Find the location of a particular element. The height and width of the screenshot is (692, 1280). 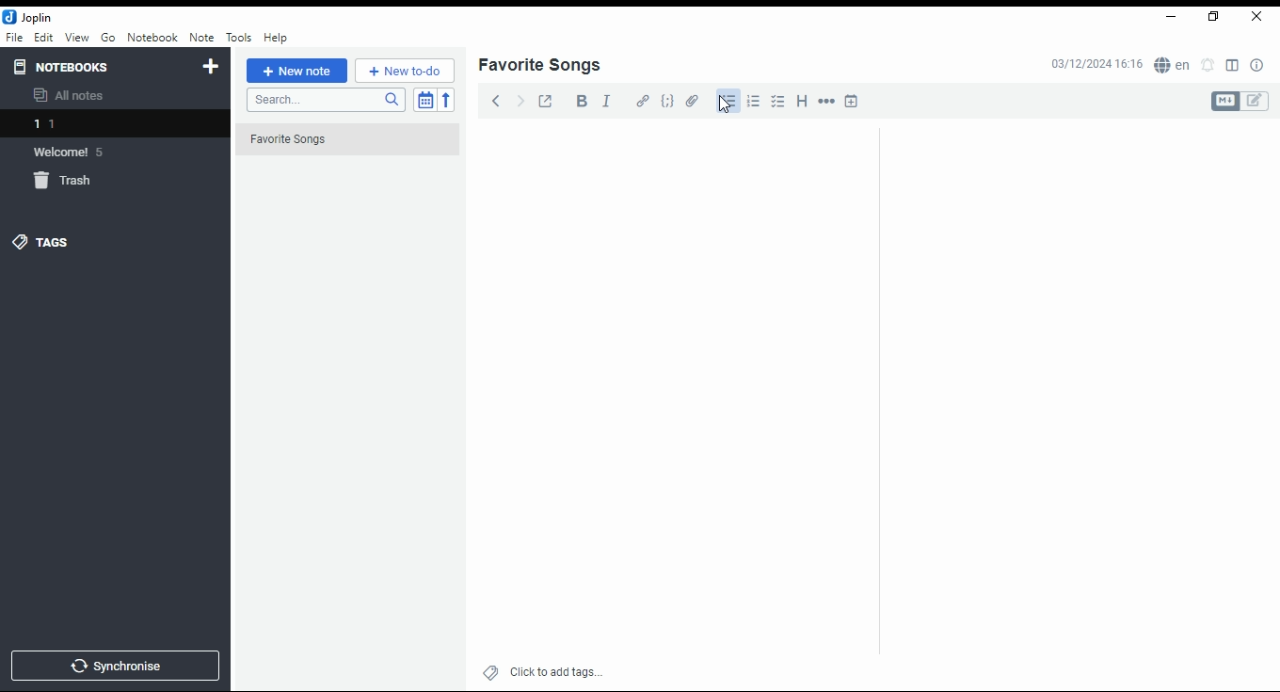

icon is located at coordinates (30, 17).